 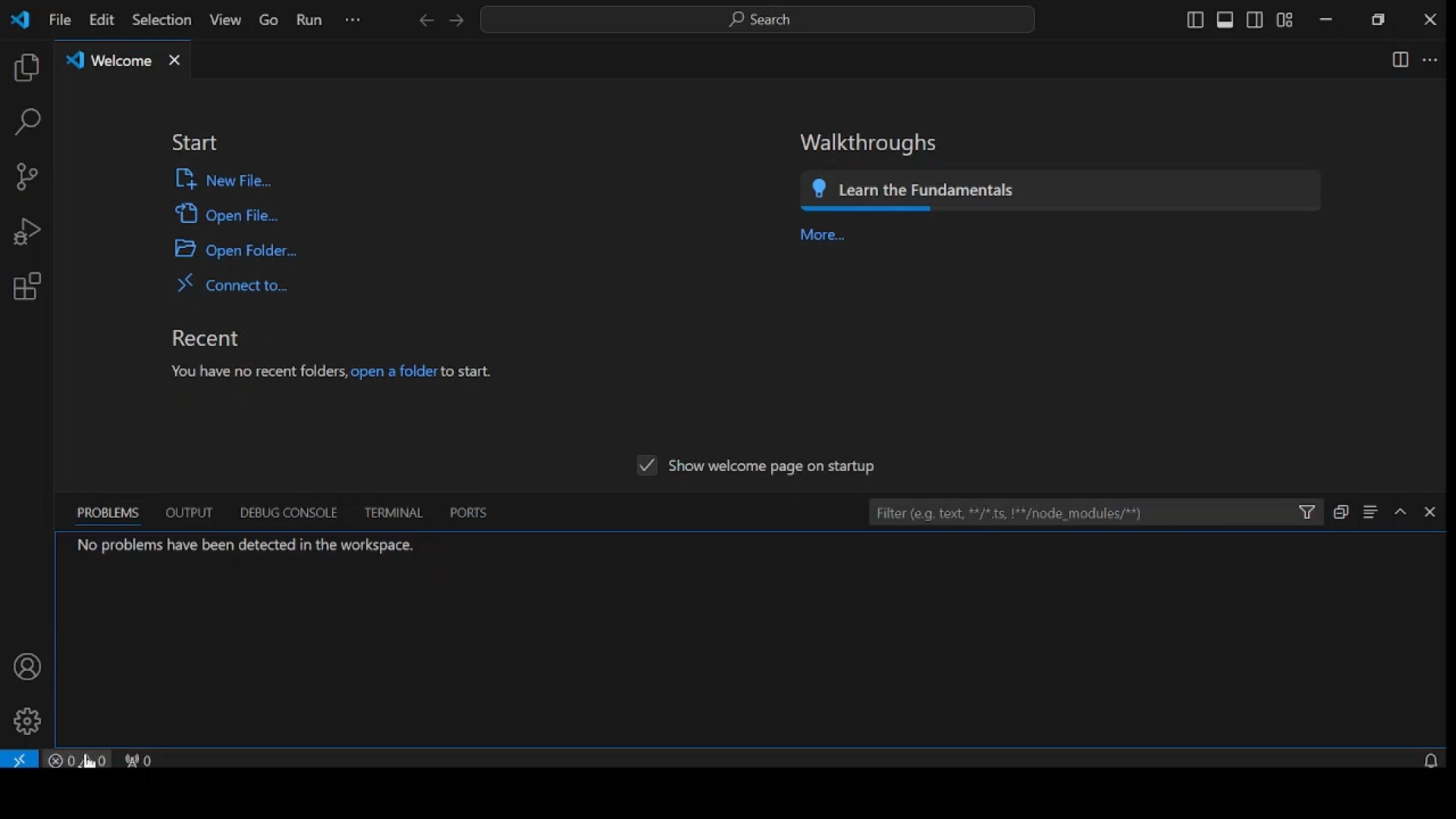 I want to click on selection, so click(x=159, y=19).